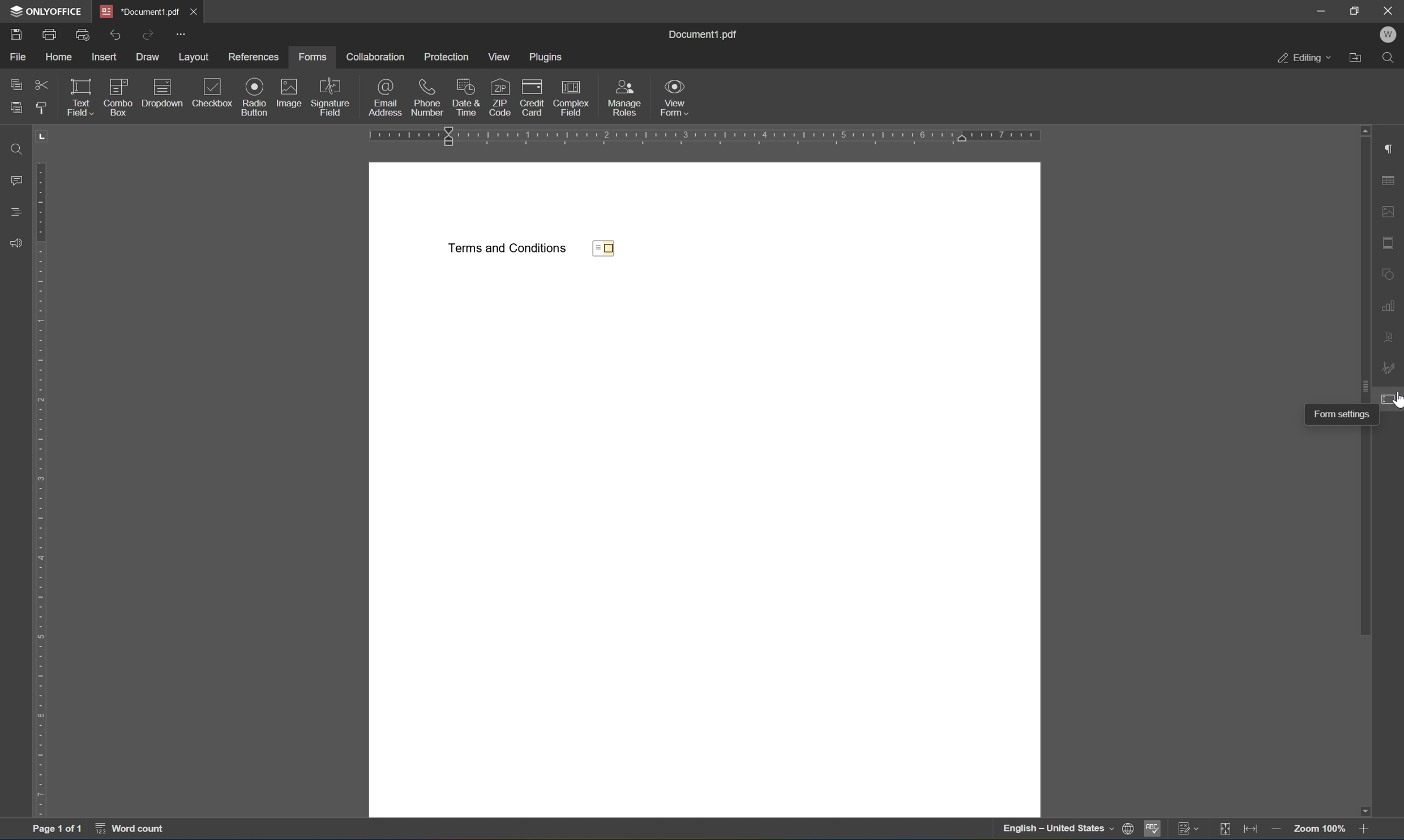 The height and width of the screenshot is (840, 1404). What do you see at coordinates (264, 108) in the screenshot?
I see `insert checkbox` at bounding box center [264, 108].